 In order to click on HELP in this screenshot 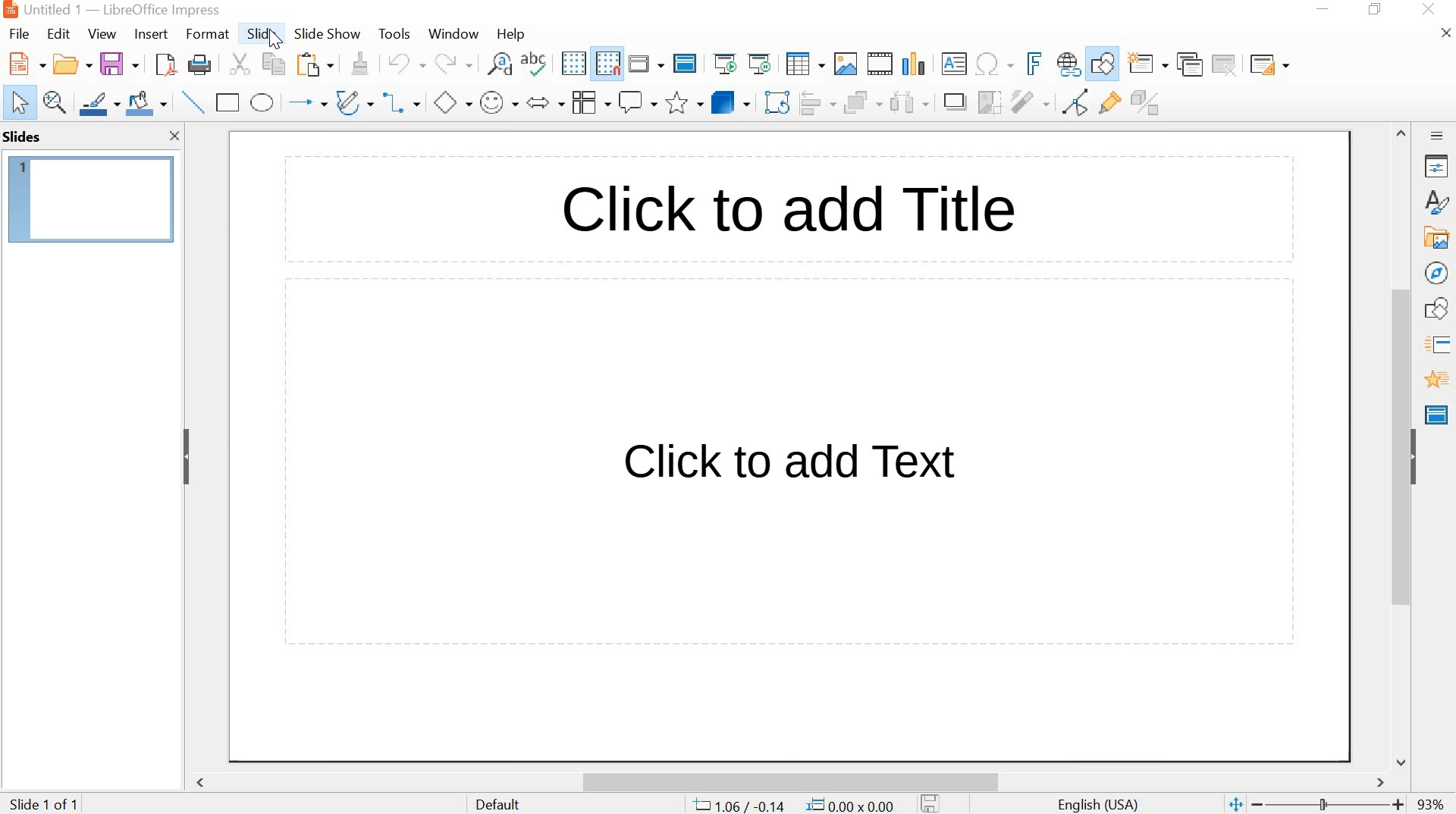, I will do `click(510, 35)`.